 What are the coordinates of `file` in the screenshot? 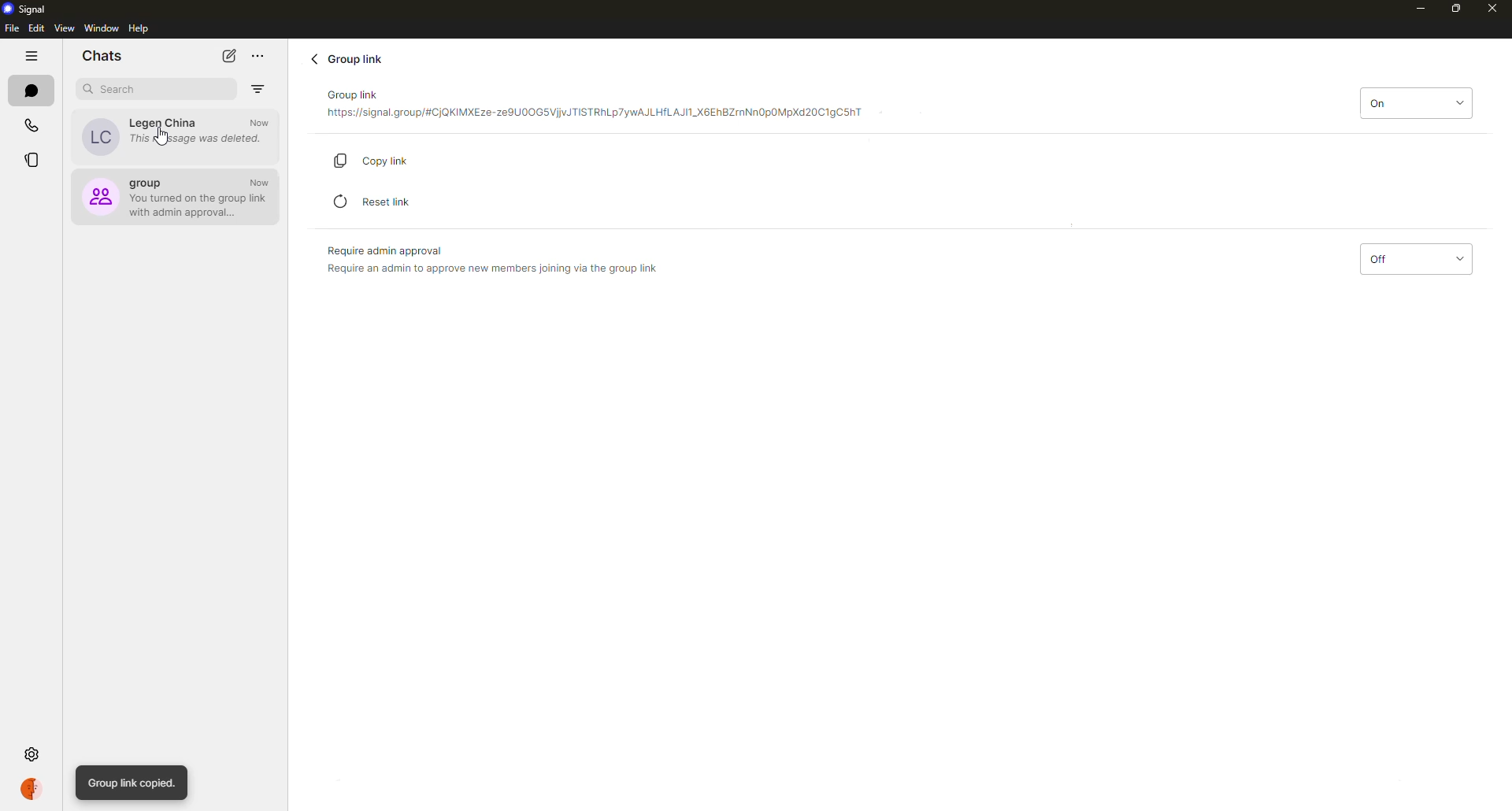 It's located at (10, 28).